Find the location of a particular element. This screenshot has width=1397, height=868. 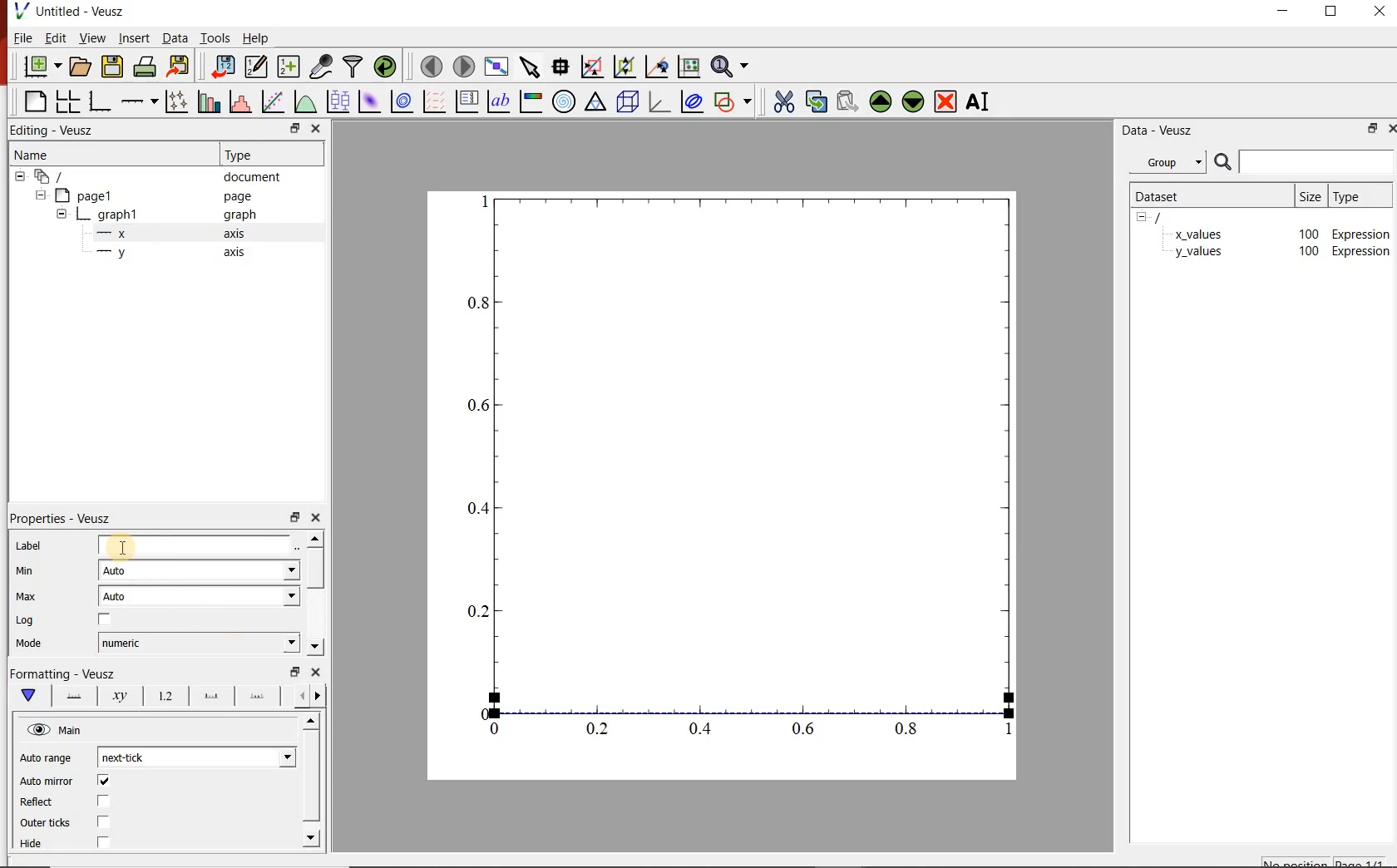

3d scene is located at coordinates (629, 104).